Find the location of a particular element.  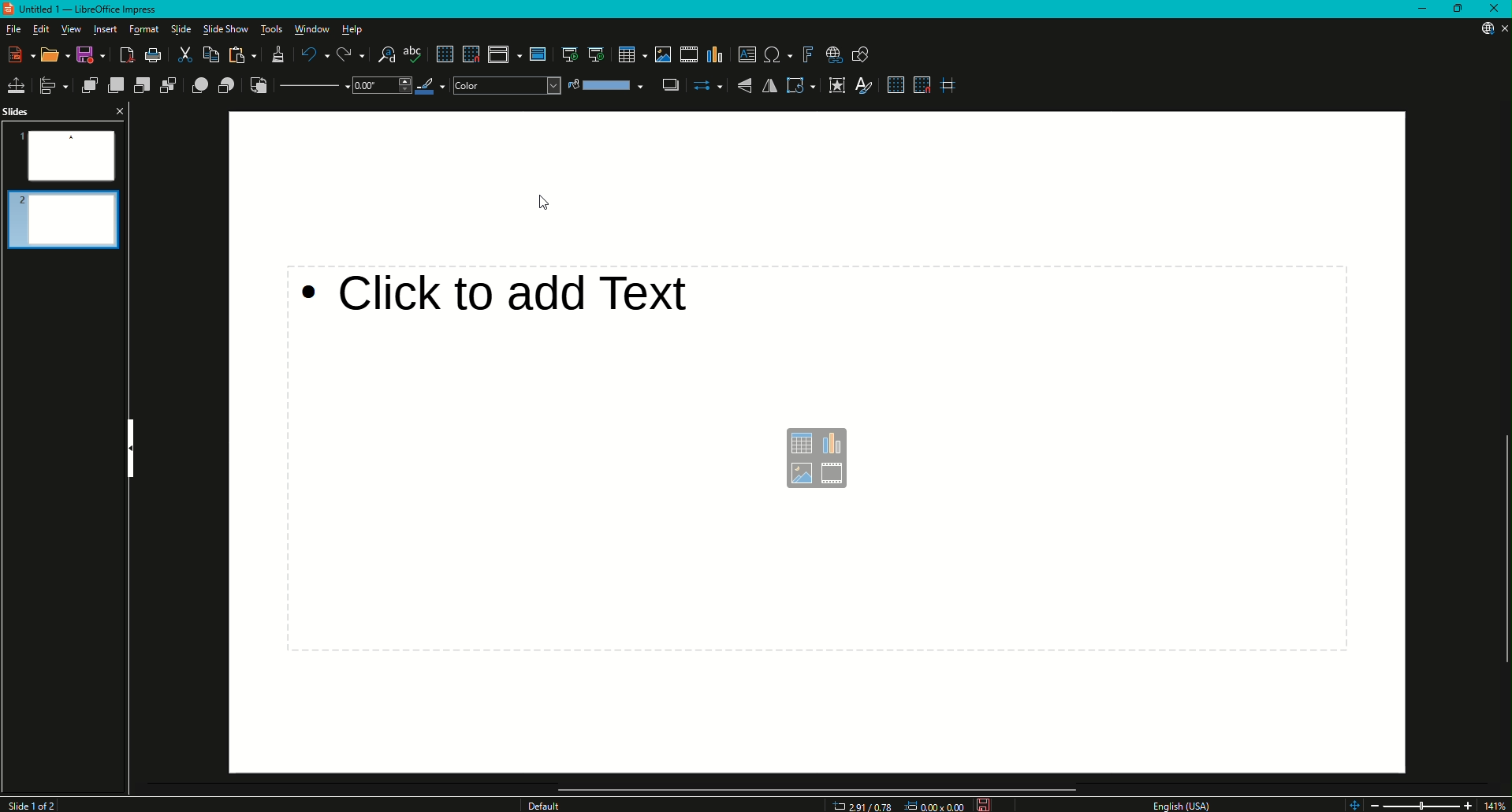

Copy is located at coordinates (206, 54).